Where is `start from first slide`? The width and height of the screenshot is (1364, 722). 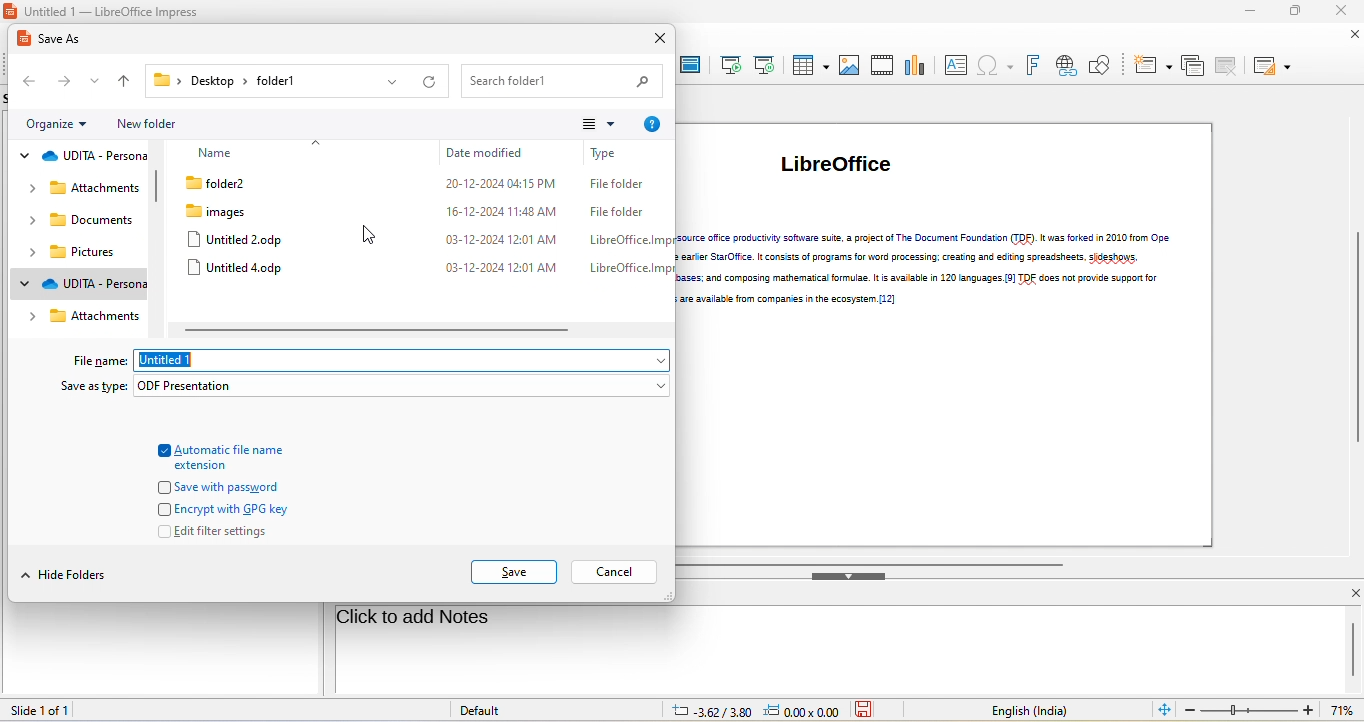
start from first slide is located at coordinates (729, 67).